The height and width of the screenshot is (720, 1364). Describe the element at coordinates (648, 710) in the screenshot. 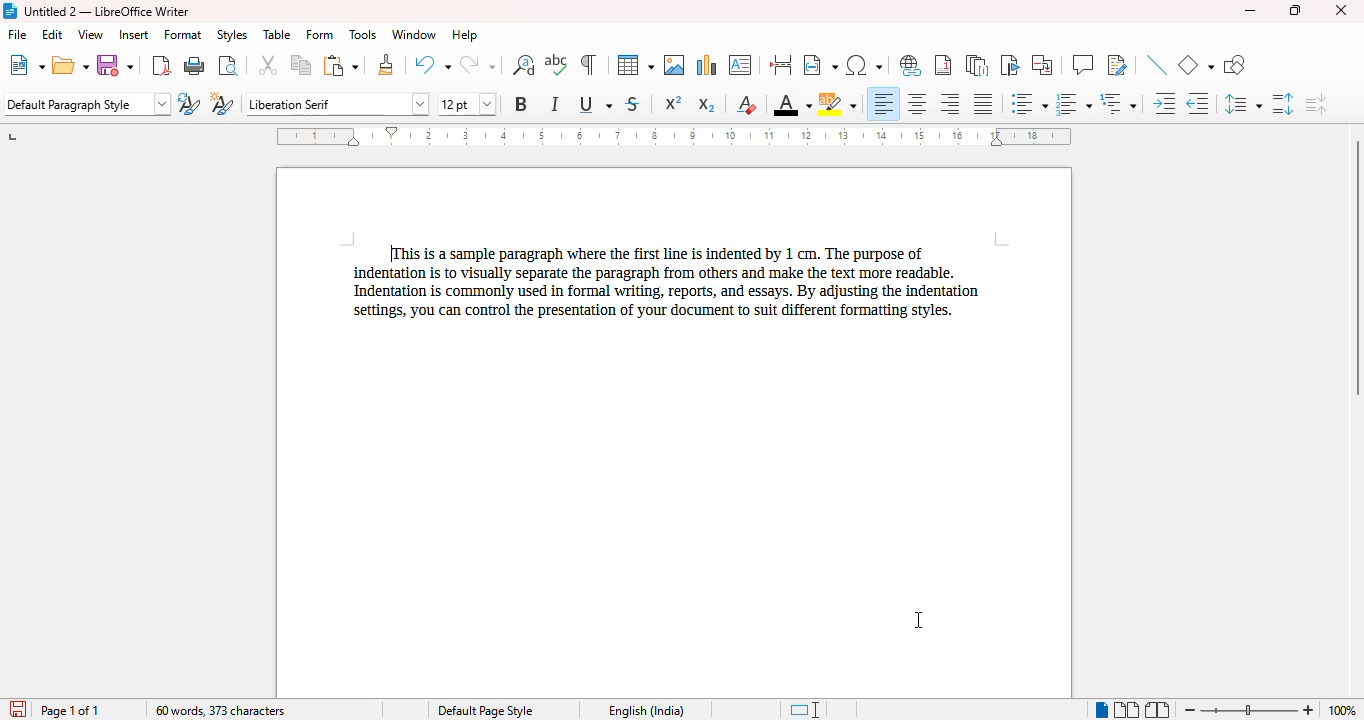

I see `text language` at that location.